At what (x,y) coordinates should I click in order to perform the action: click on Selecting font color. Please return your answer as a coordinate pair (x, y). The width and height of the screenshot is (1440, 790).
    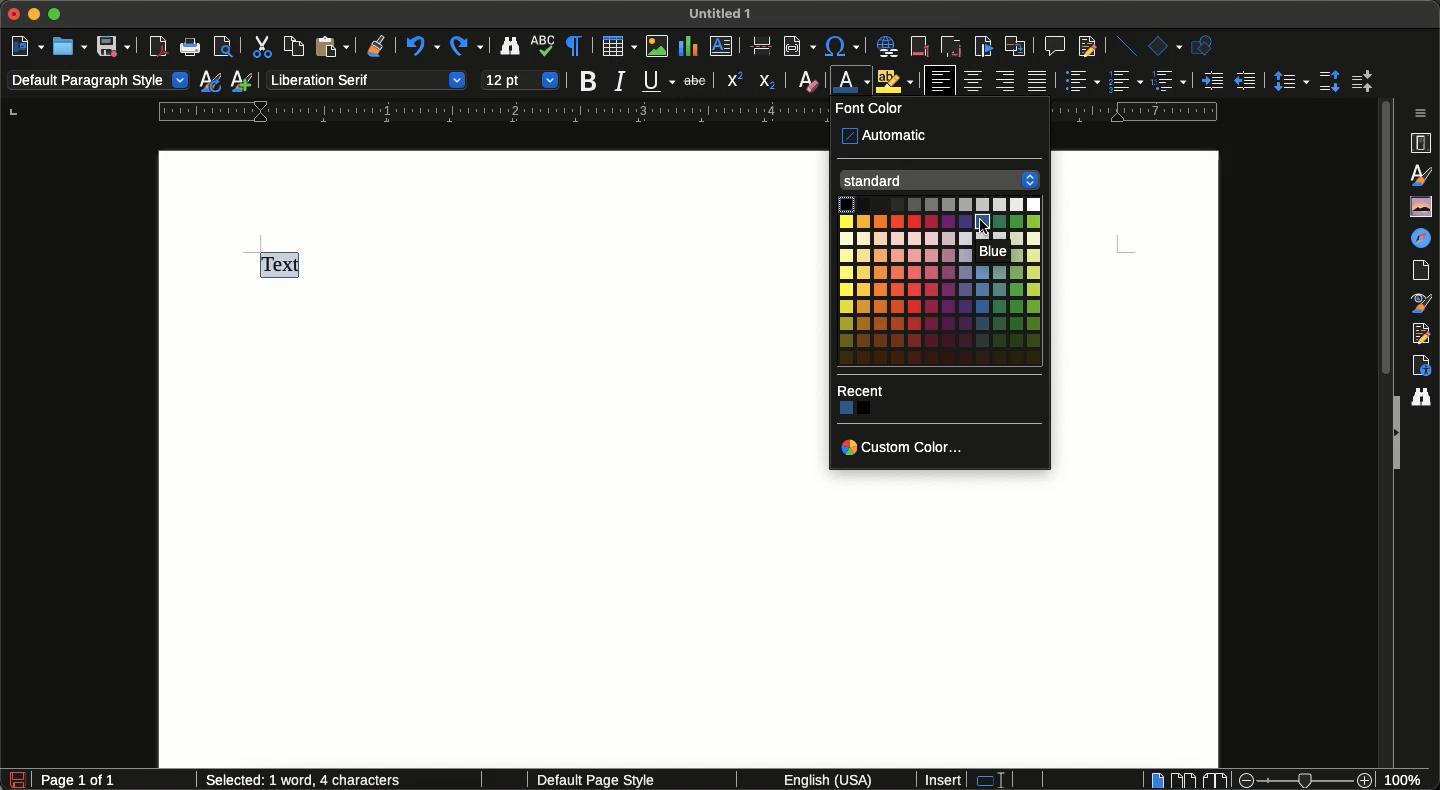
    Looking at the image, I should click on (855, 81).